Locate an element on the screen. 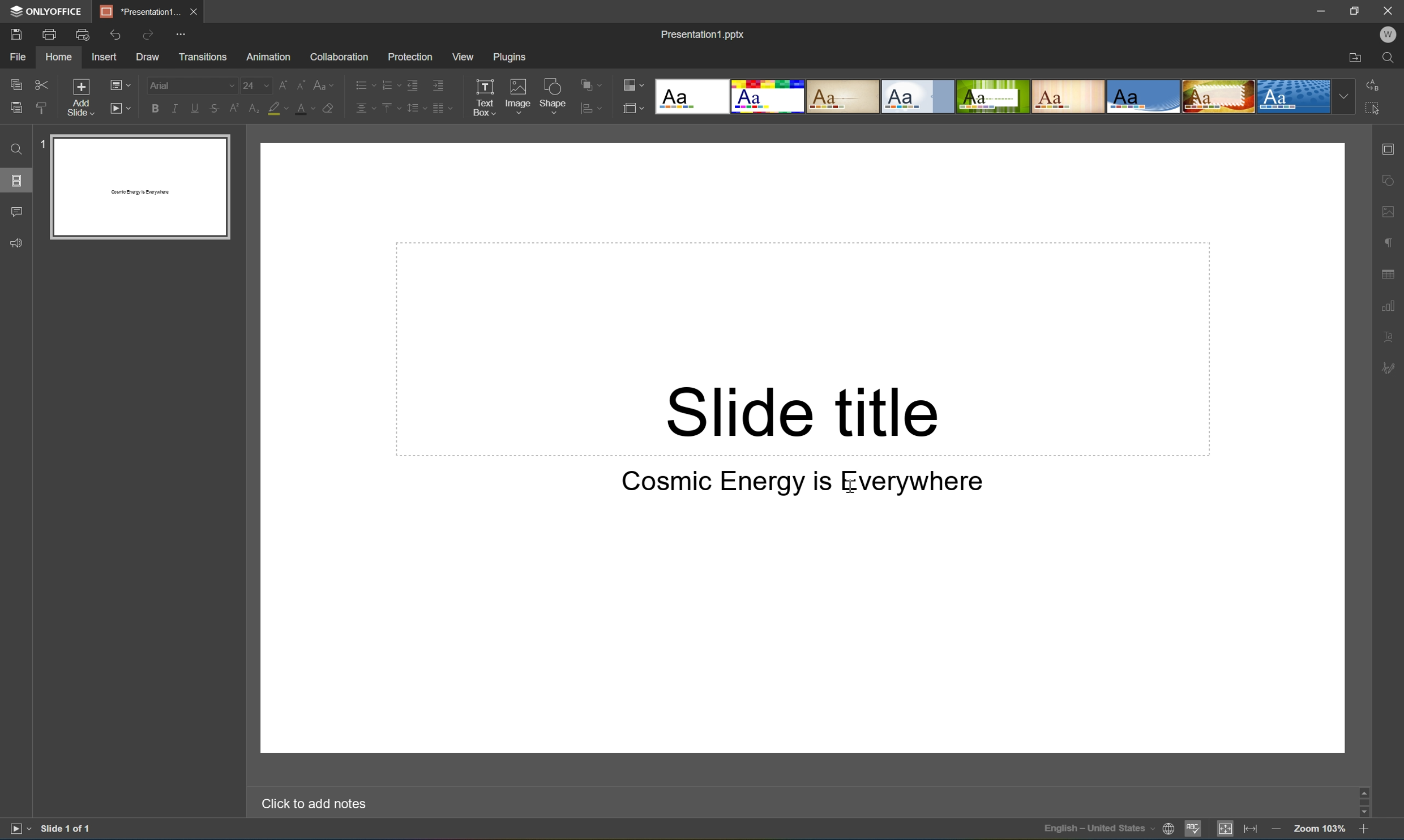  Plugins is located at coordinates (513, 59).